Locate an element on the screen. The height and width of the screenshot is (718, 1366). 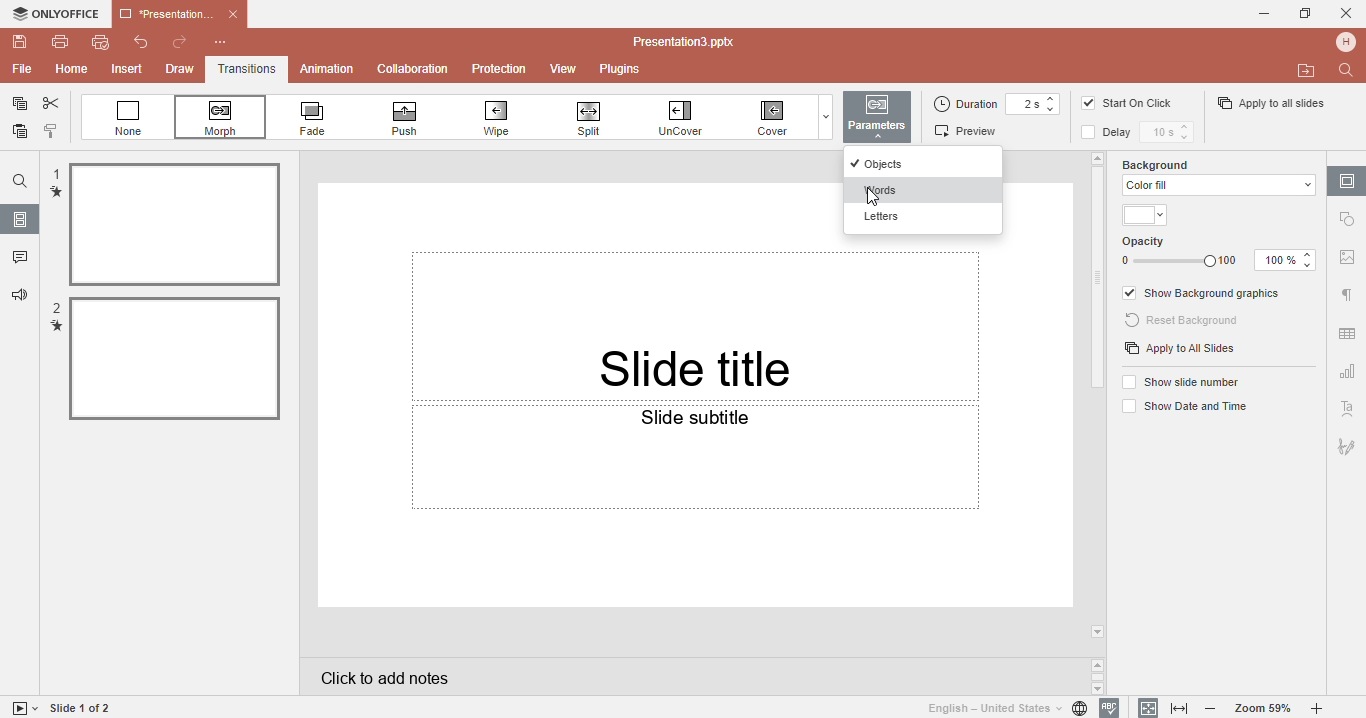
Slected file 2 is located at coordinates (175, 358).